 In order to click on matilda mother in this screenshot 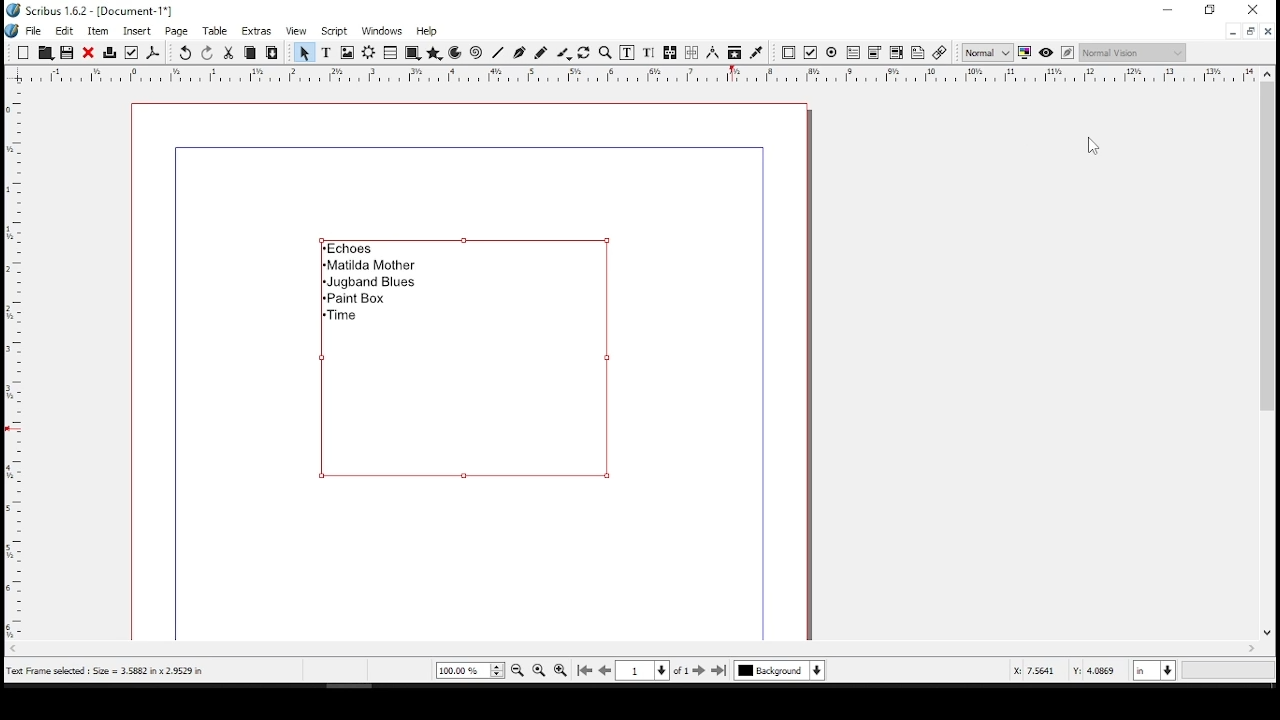, I will do `click(367, 266)`.